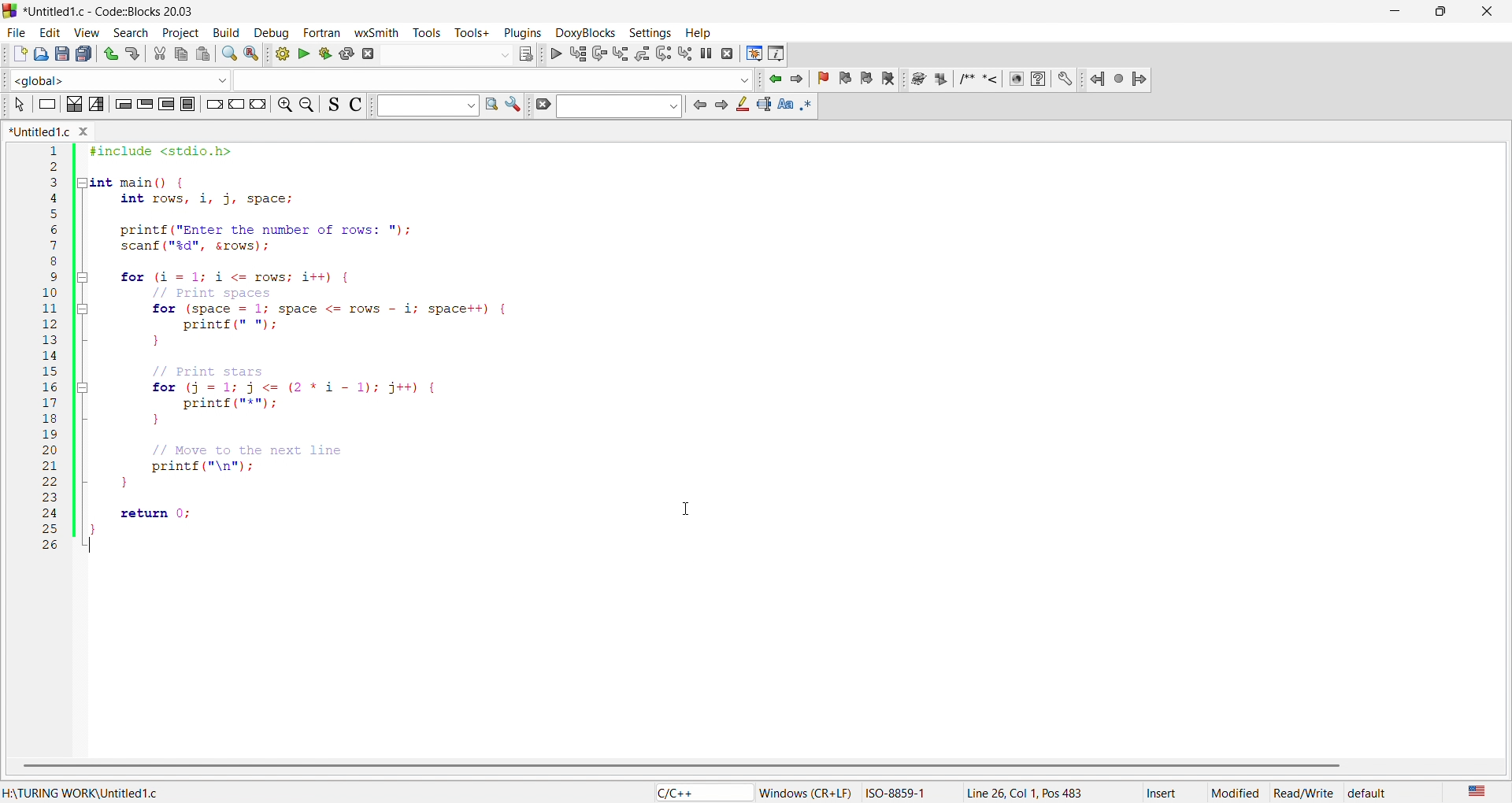  I want to click on rebuild, so click(344, 53).